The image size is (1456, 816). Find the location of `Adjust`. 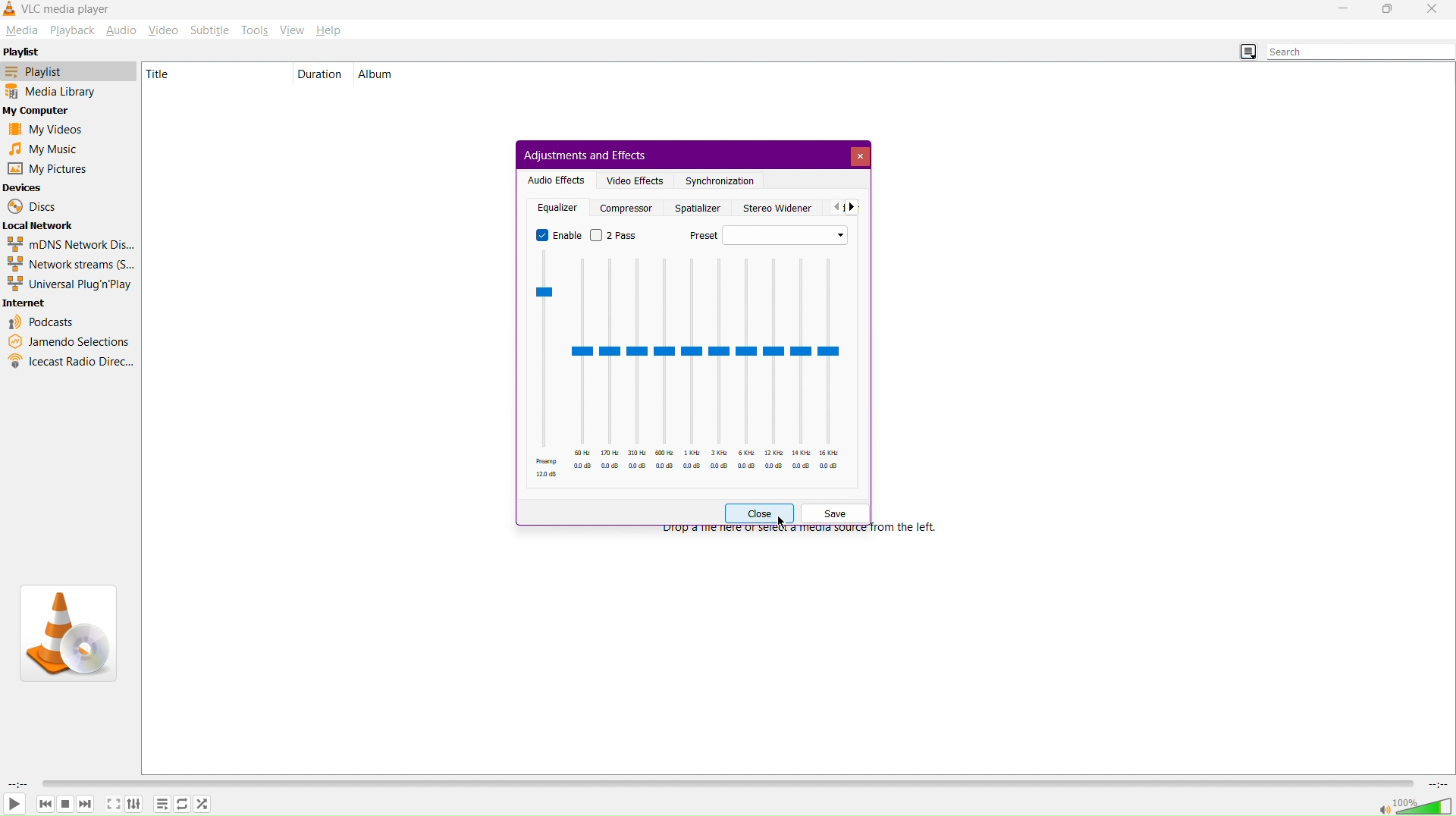

Adjust is located at coordinates (136, 802).